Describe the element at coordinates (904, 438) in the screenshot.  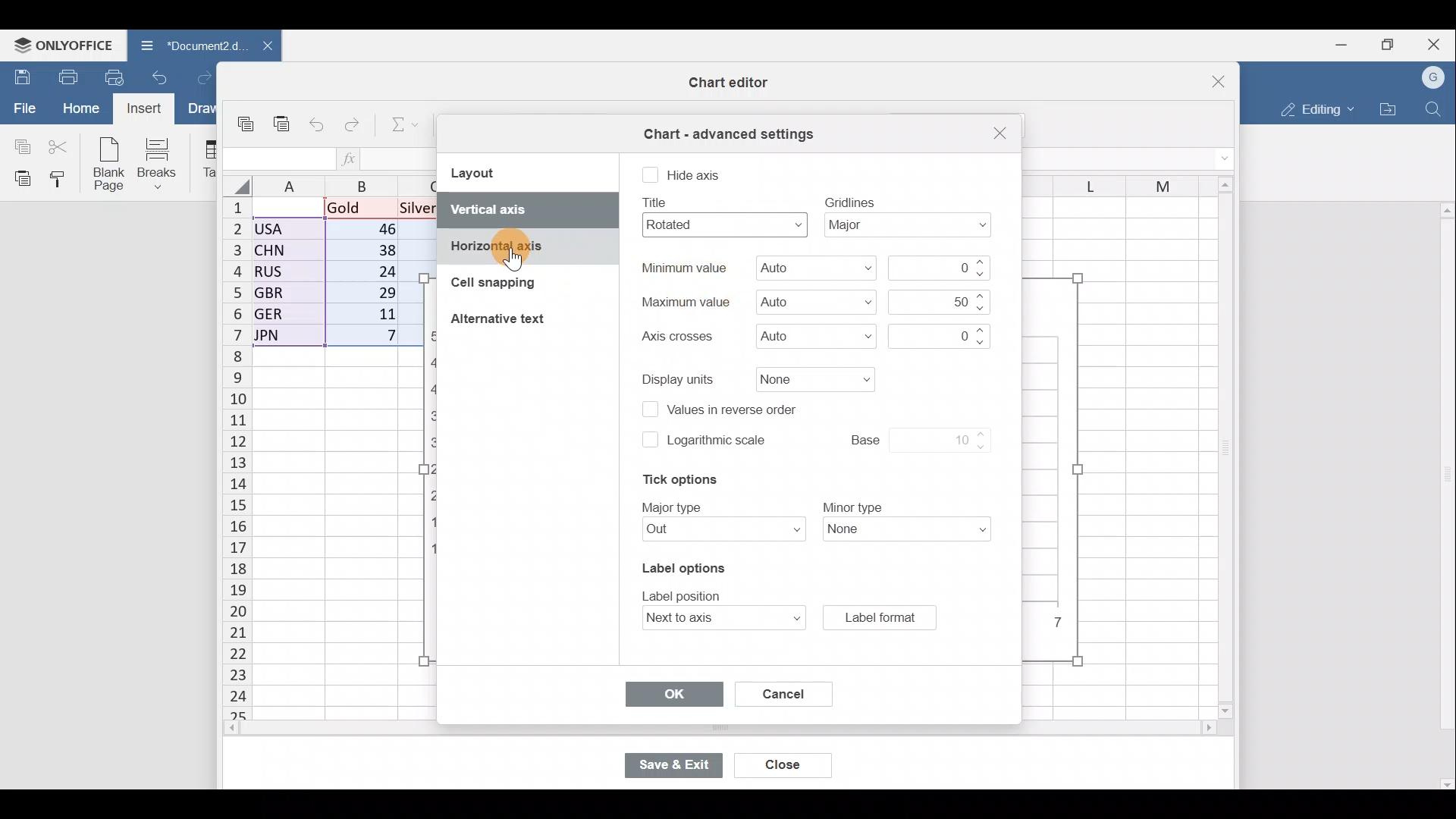
I see `Base` at that location.